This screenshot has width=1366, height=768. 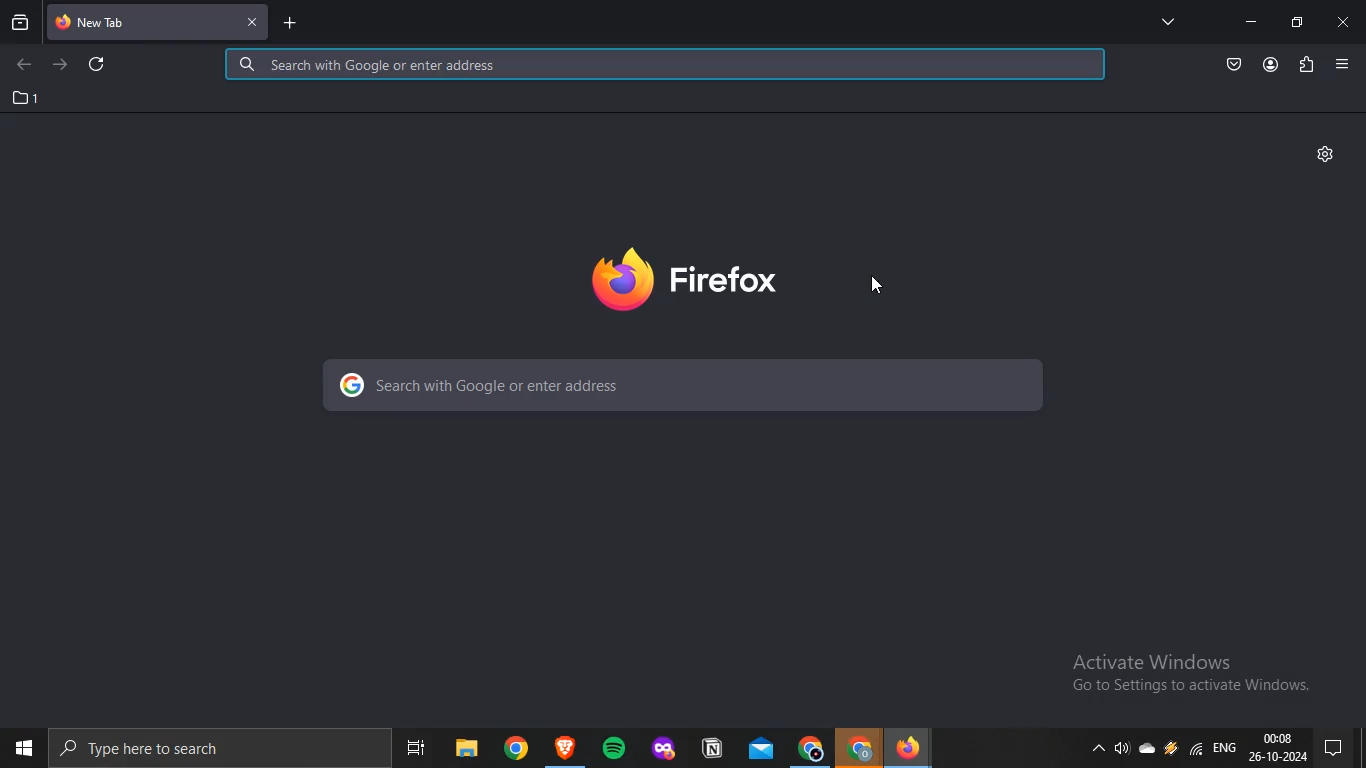 I want to click on notion, so click(x=709, y=745).